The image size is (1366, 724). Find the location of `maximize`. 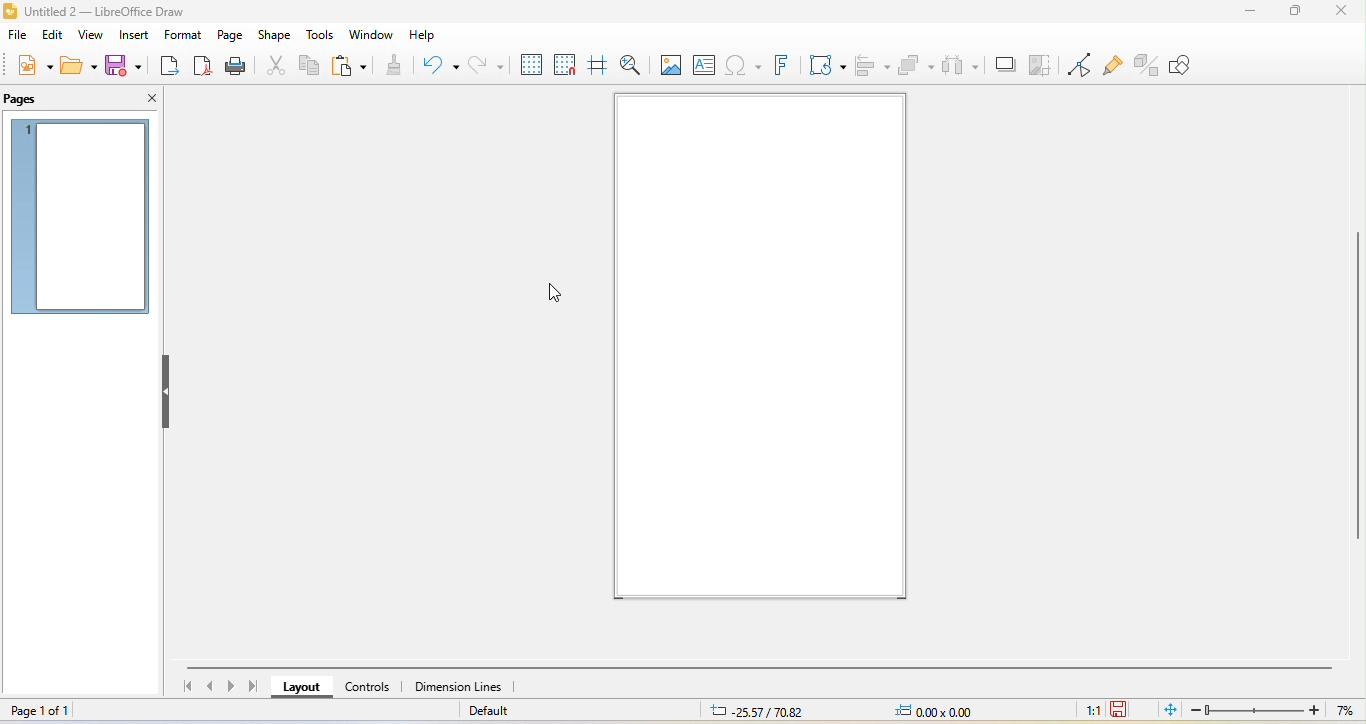

maximize is located at coordinates (1294, 12).